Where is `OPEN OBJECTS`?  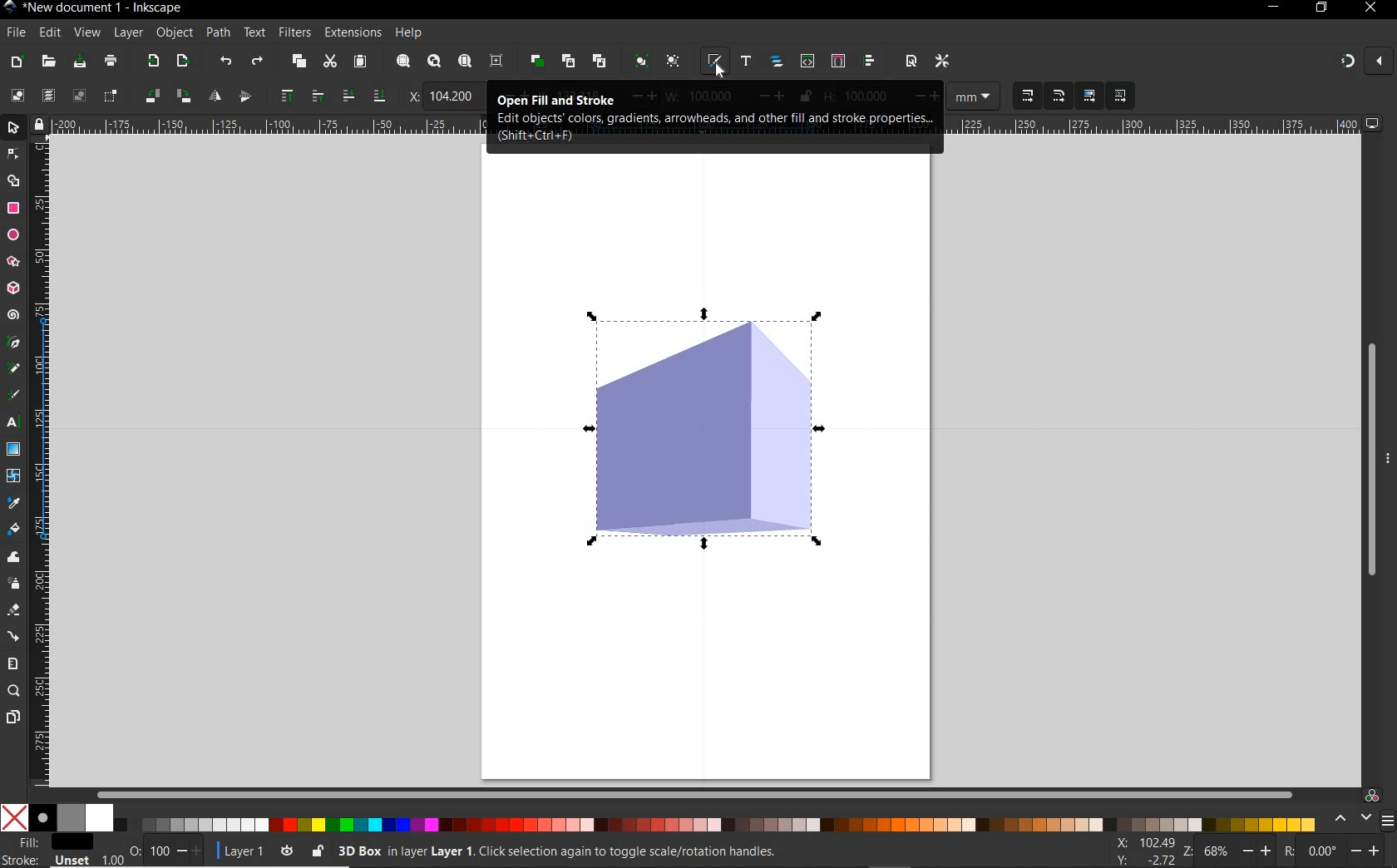 OPEN OBJECTS is located at coordinates (778, 63).